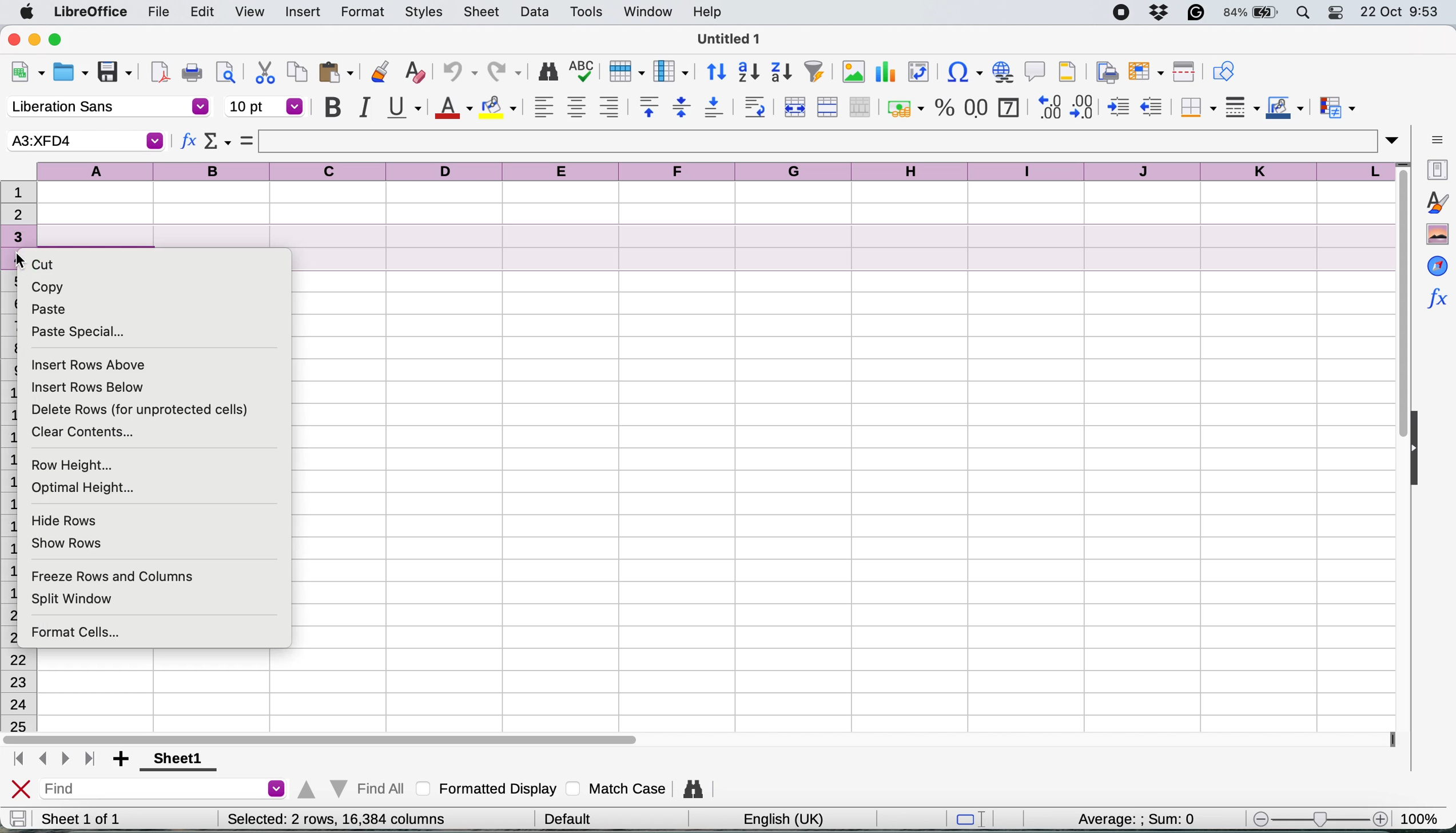 The height and width of the screenshot is (833, 1456). Describe the element at coordinates (624, 70) in the screenshot. I see `row` at that location.